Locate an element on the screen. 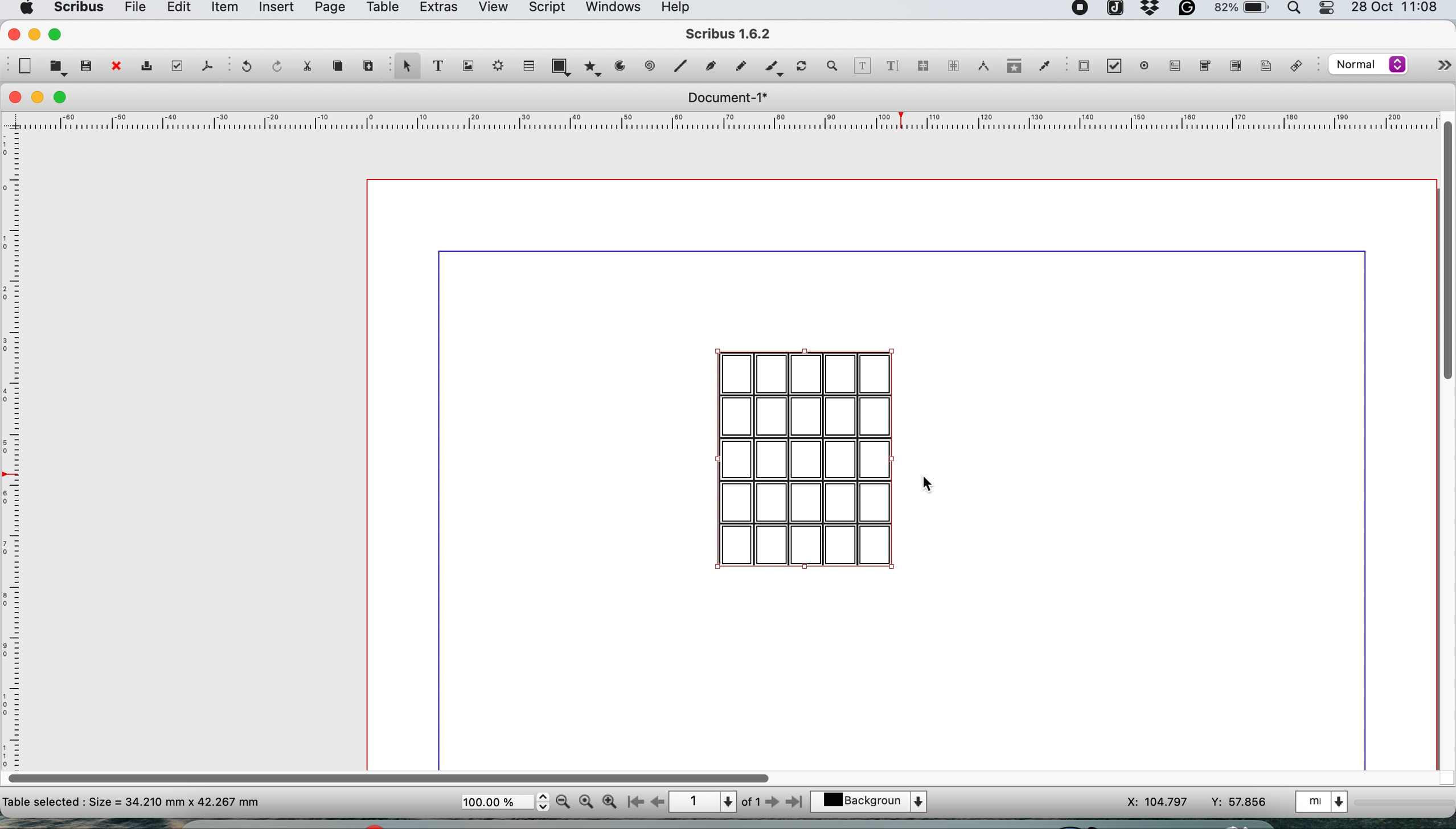  select the current unit is located at coordinates (1324, 801).